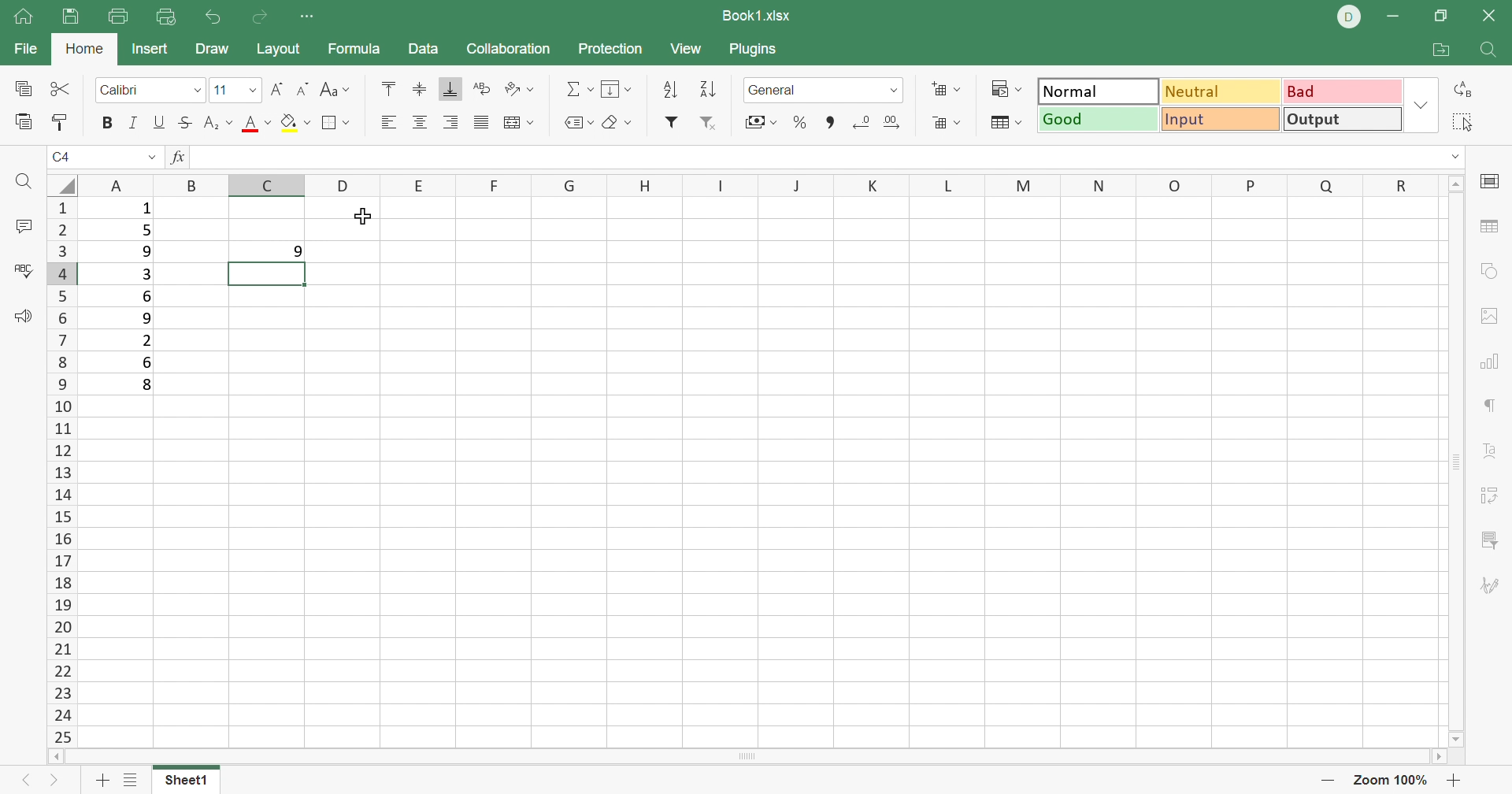  I want to click on Layout, so click(281, 50).